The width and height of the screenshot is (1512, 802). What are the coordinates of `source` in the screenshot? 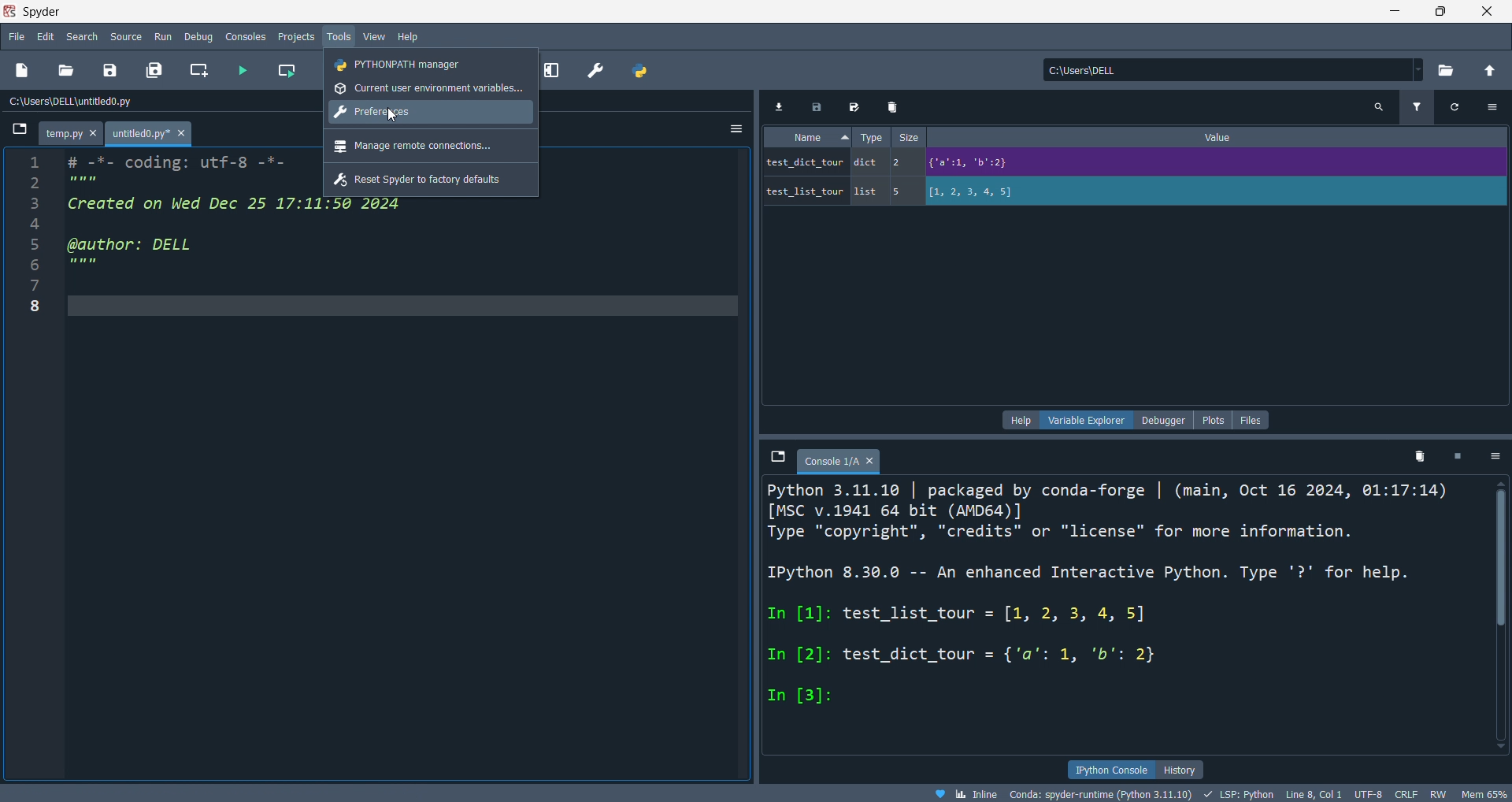 It's located at (126, 36).